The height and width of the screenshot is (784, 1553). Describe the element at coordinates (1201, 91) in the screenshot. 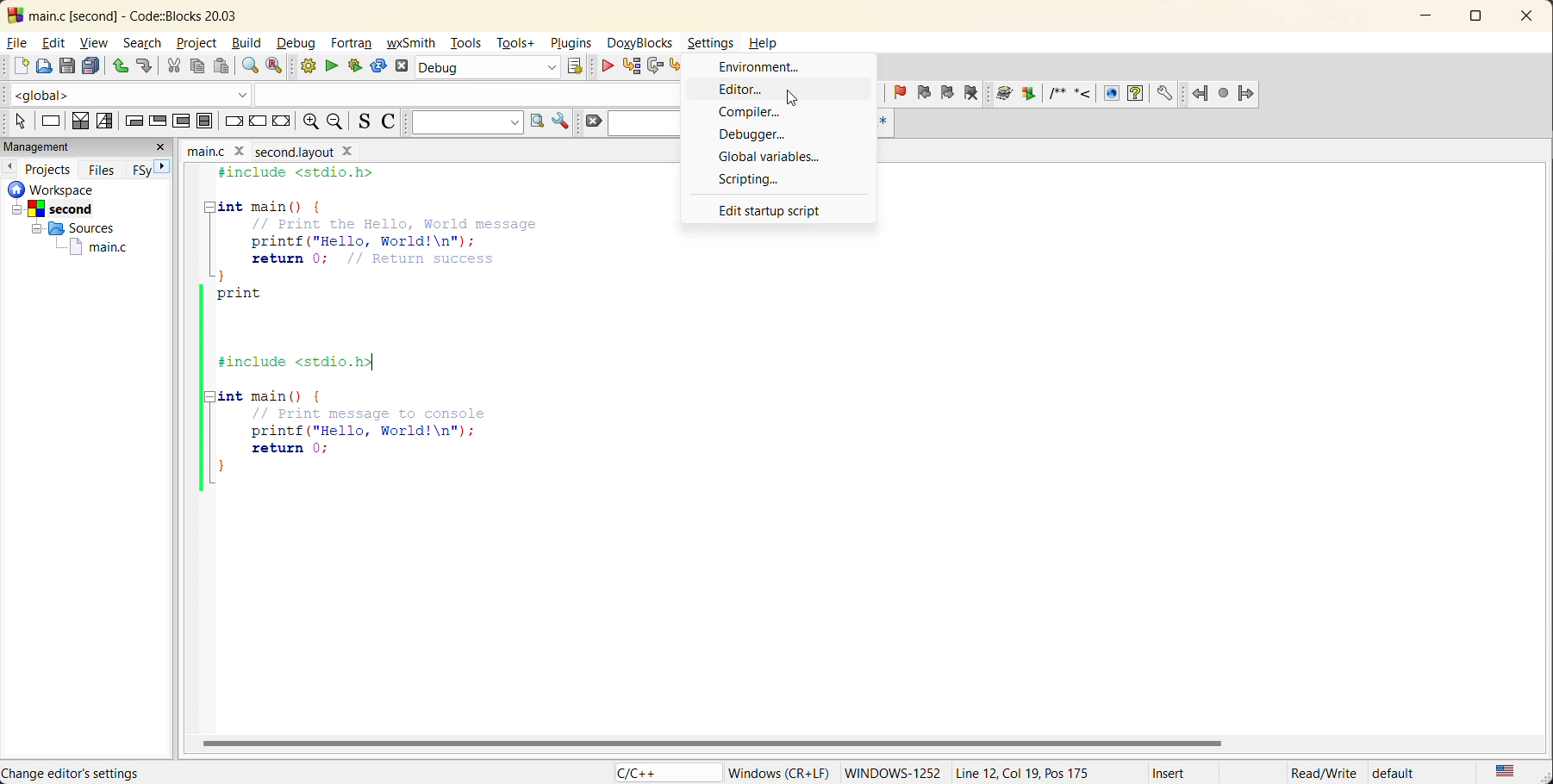

I see `Jump backward` at that location.